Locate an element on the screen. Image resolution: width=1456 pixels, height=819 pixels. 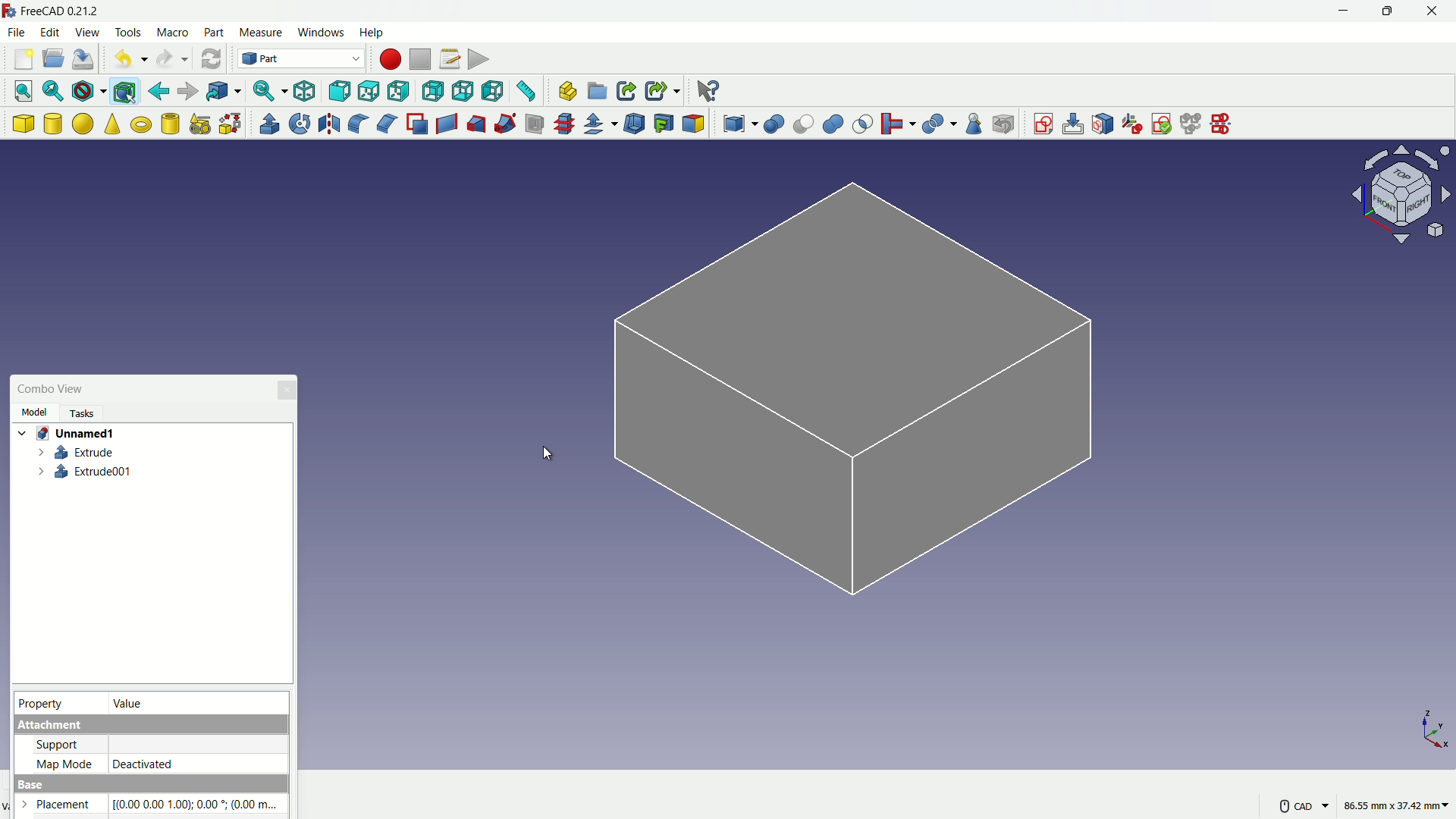
create sub link is located at coordinates (662, 90).